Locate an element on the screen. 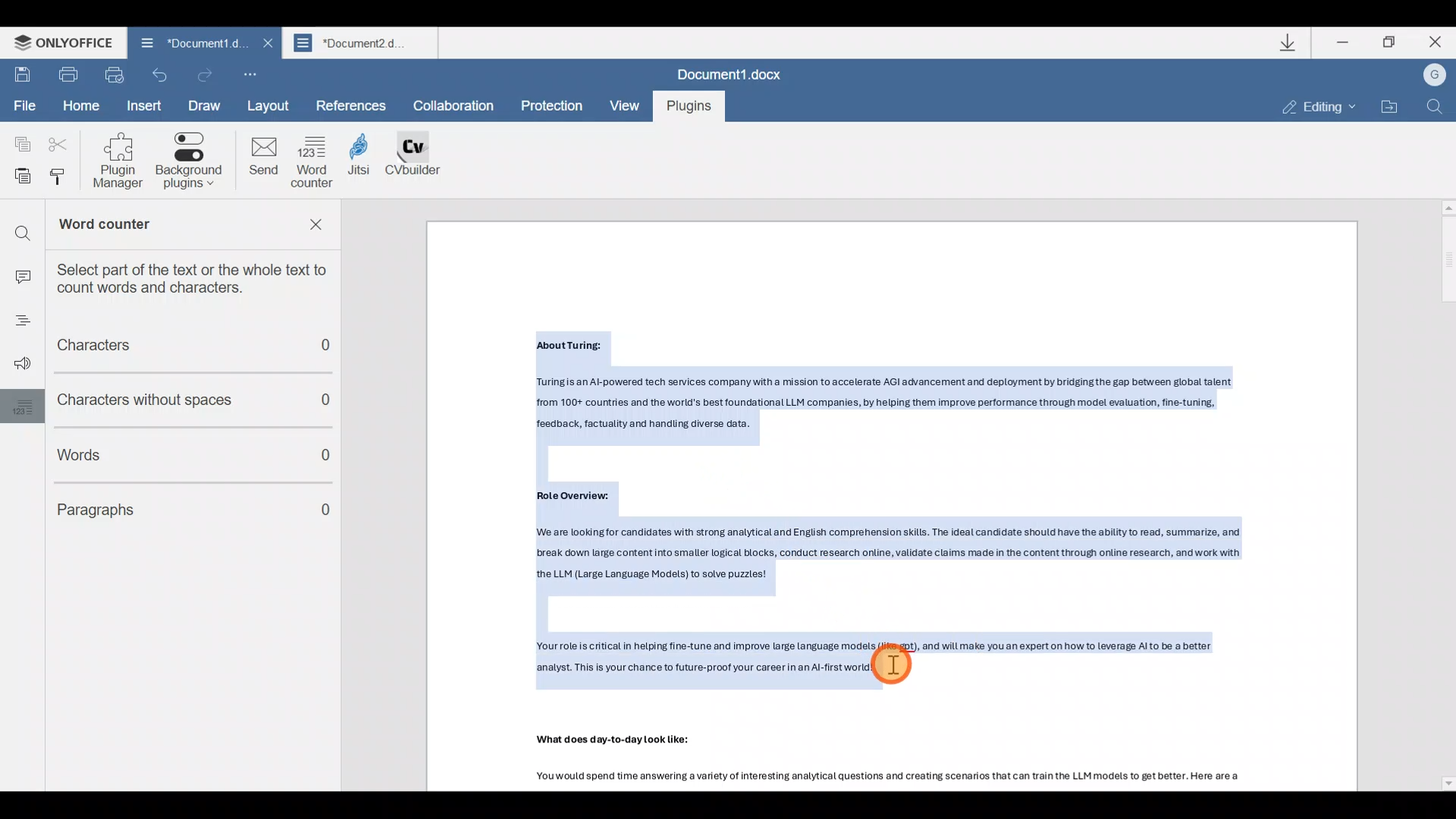  Minimize is located at coordinates (1341, 45).